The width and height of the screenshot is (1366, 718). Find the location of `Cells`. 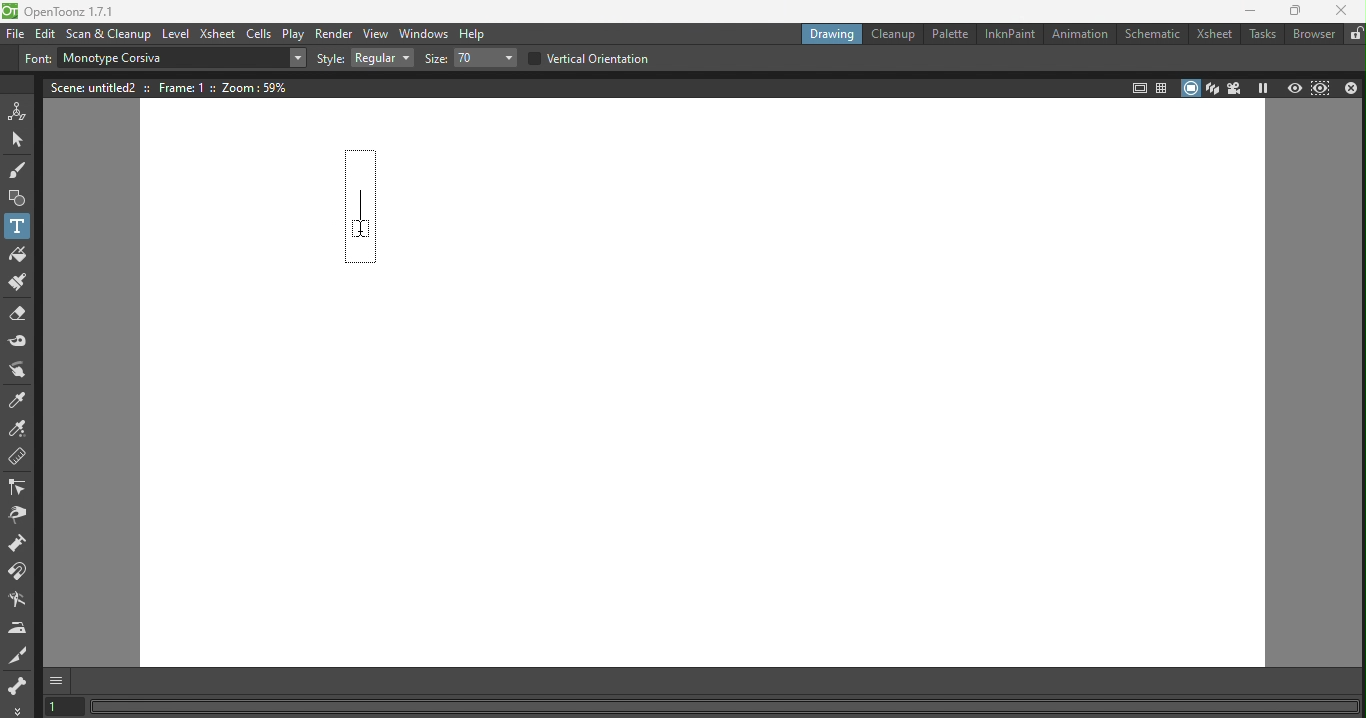

Cells is located at coordinates (261, 33).